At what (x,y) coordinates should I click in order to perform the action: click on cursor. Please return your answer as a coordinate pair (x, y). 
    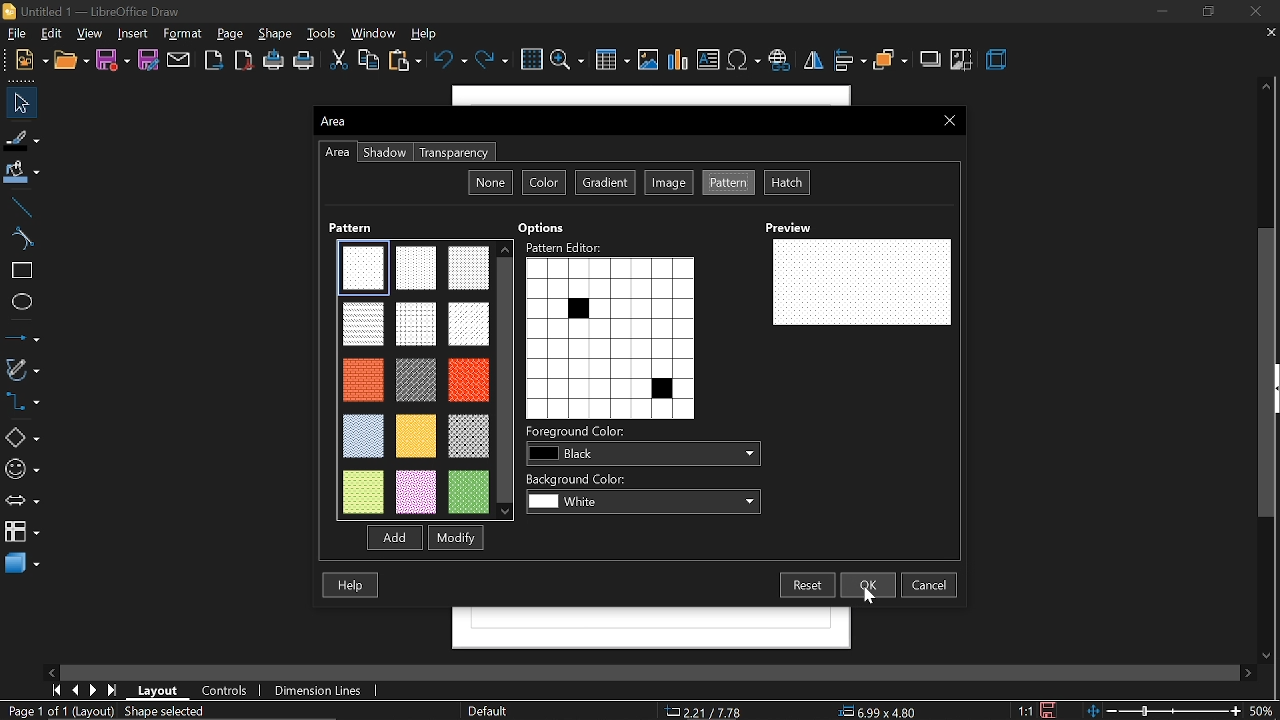
    Looking at the image, I should click on (867, 592).